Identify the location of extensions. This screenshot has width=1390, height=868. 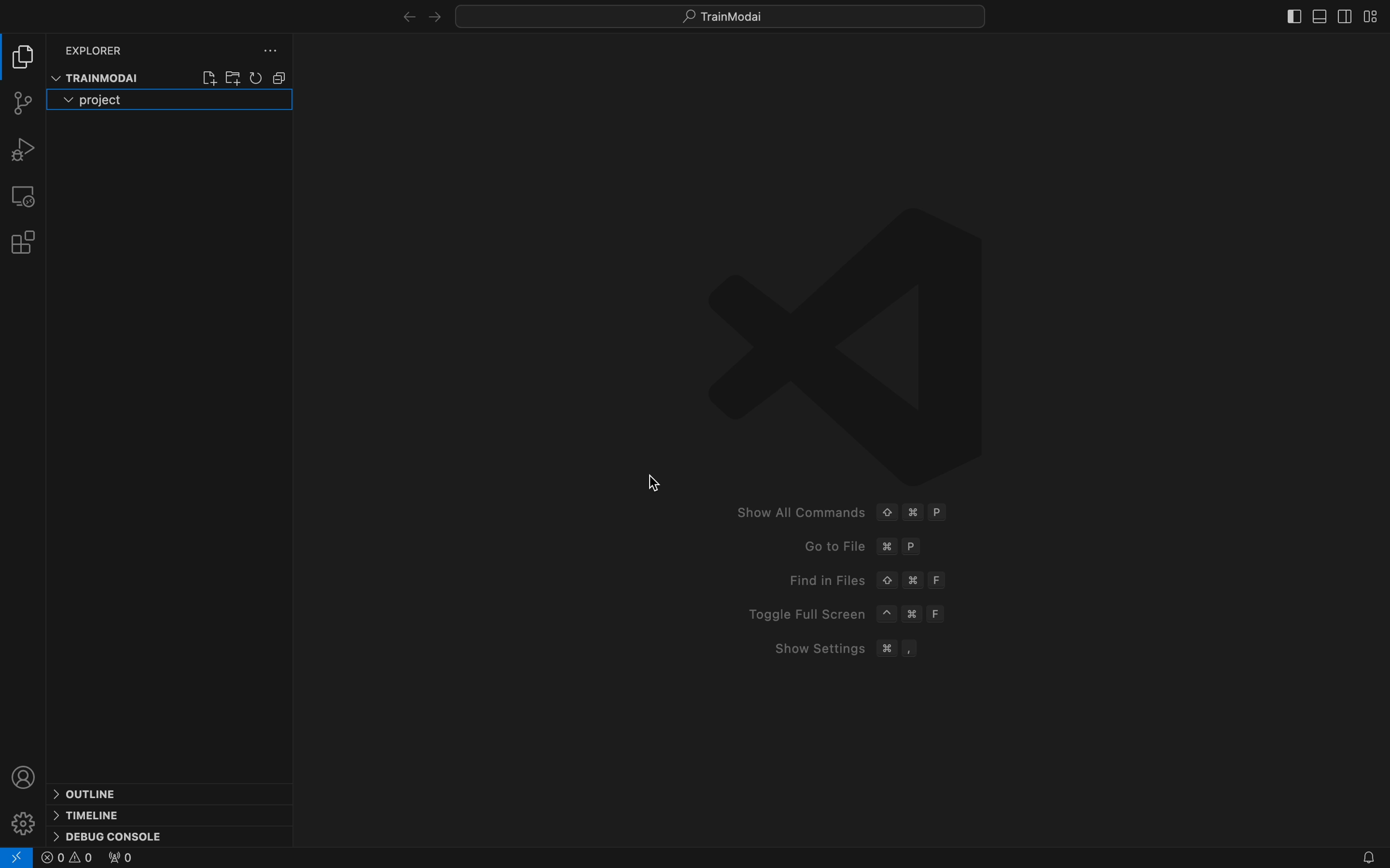
(25, 241).